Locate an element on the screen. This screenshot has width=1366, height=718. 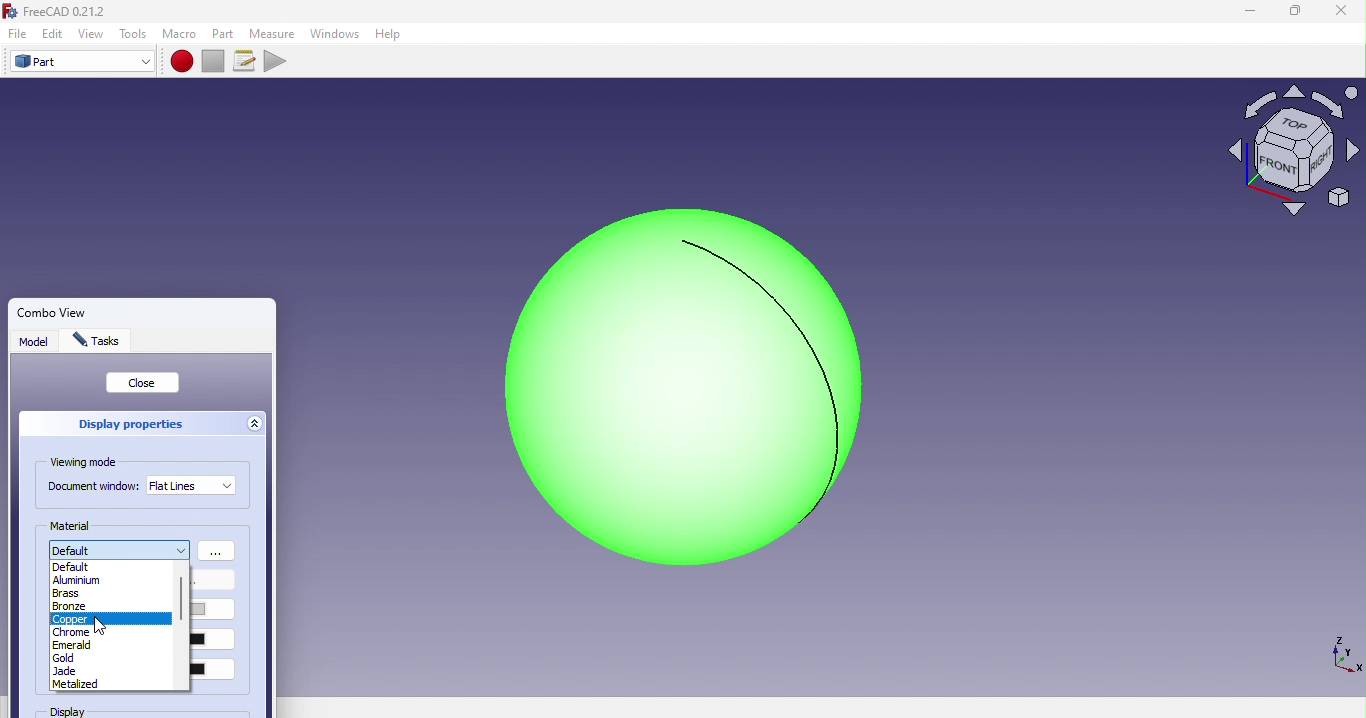
Gold is located at coordinates (69, 657).